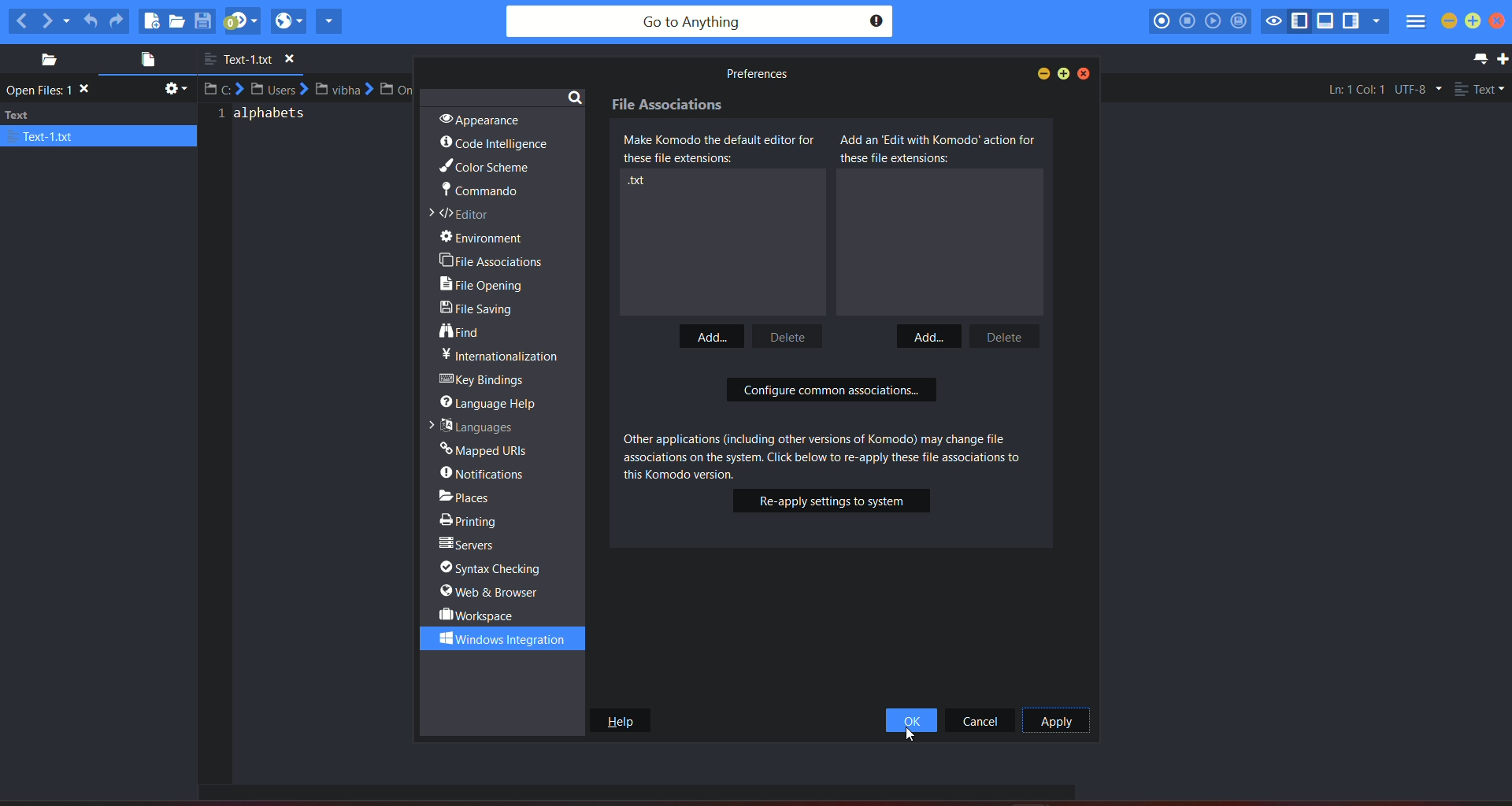 This screenshot has width=1512, height=806. I want to click on printing, so click(472, 519).